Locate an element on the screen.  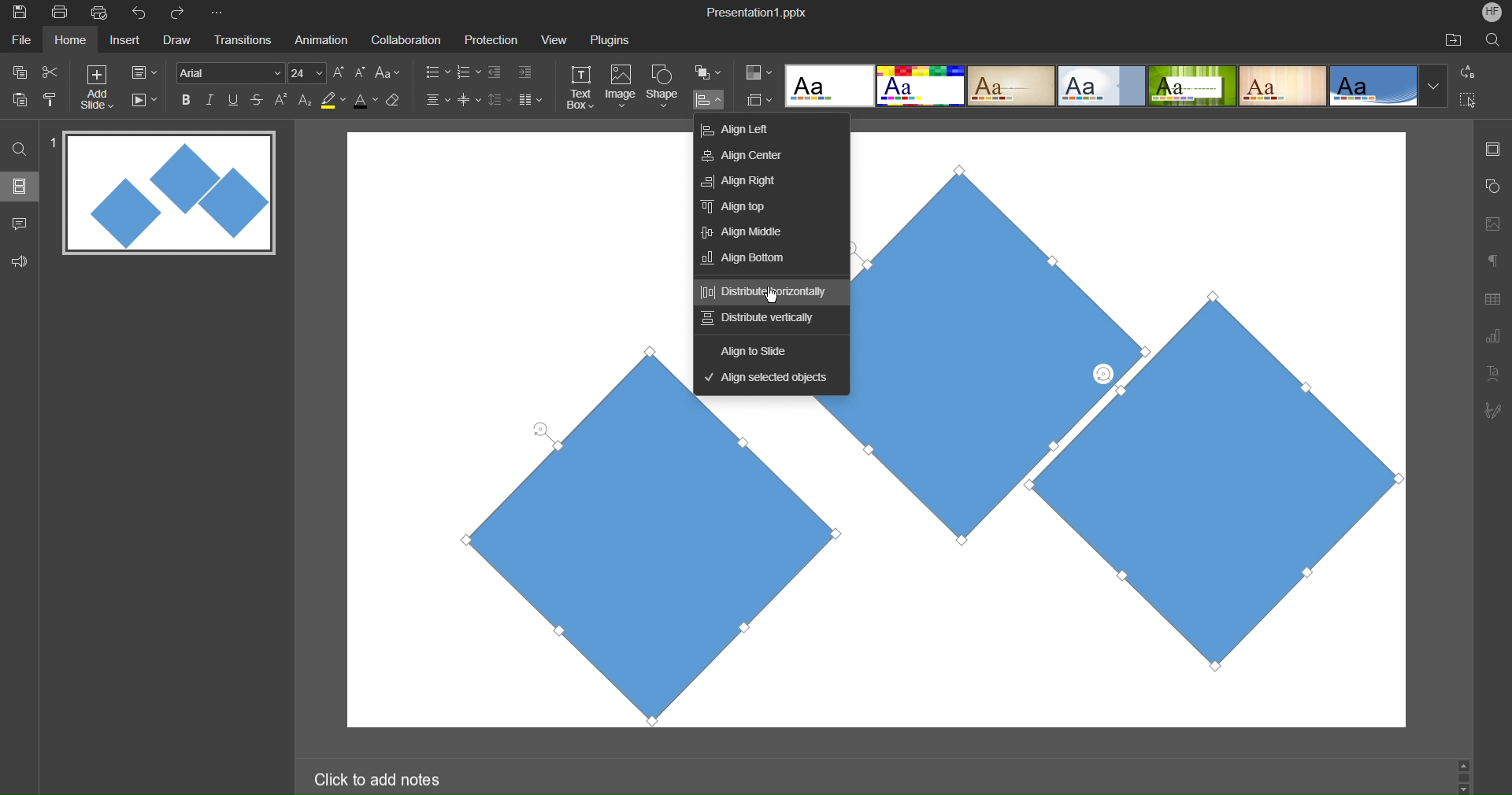
open file location is located at coordinates (1453, 39).